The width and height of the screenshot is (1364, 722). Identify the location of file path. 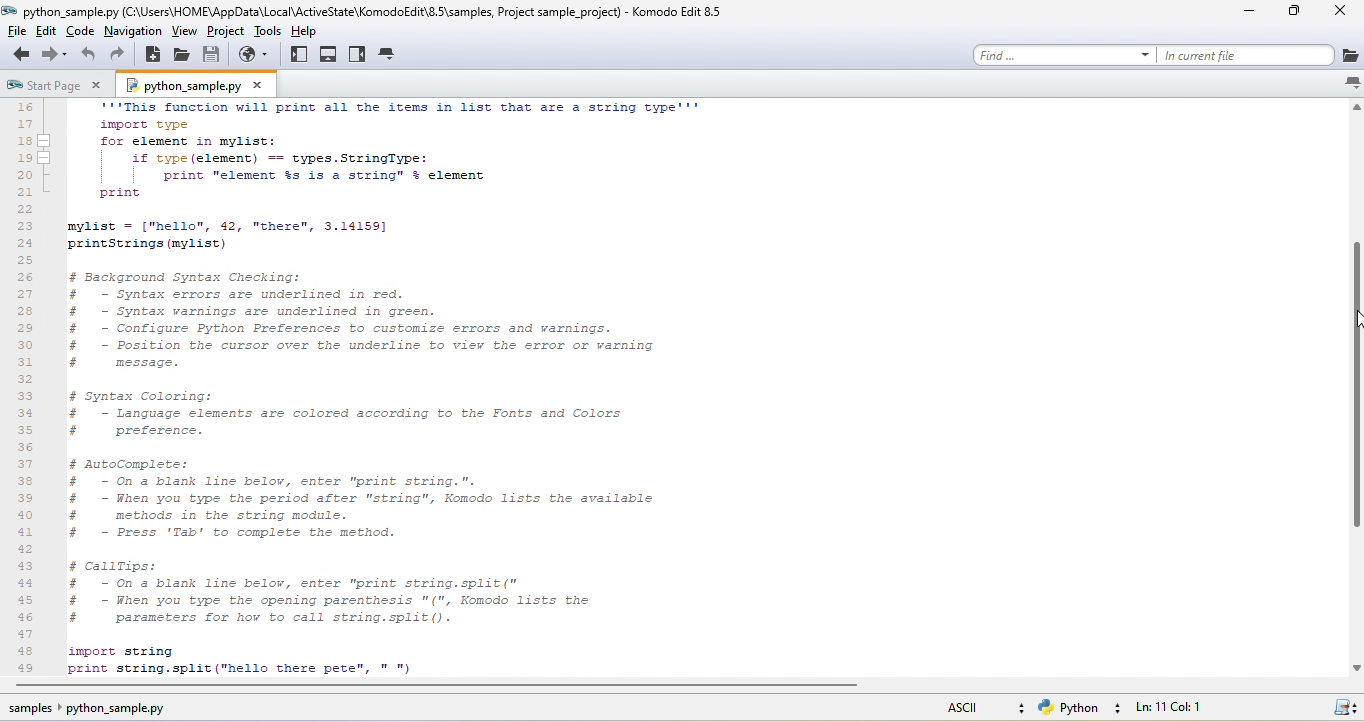
(372, 10).